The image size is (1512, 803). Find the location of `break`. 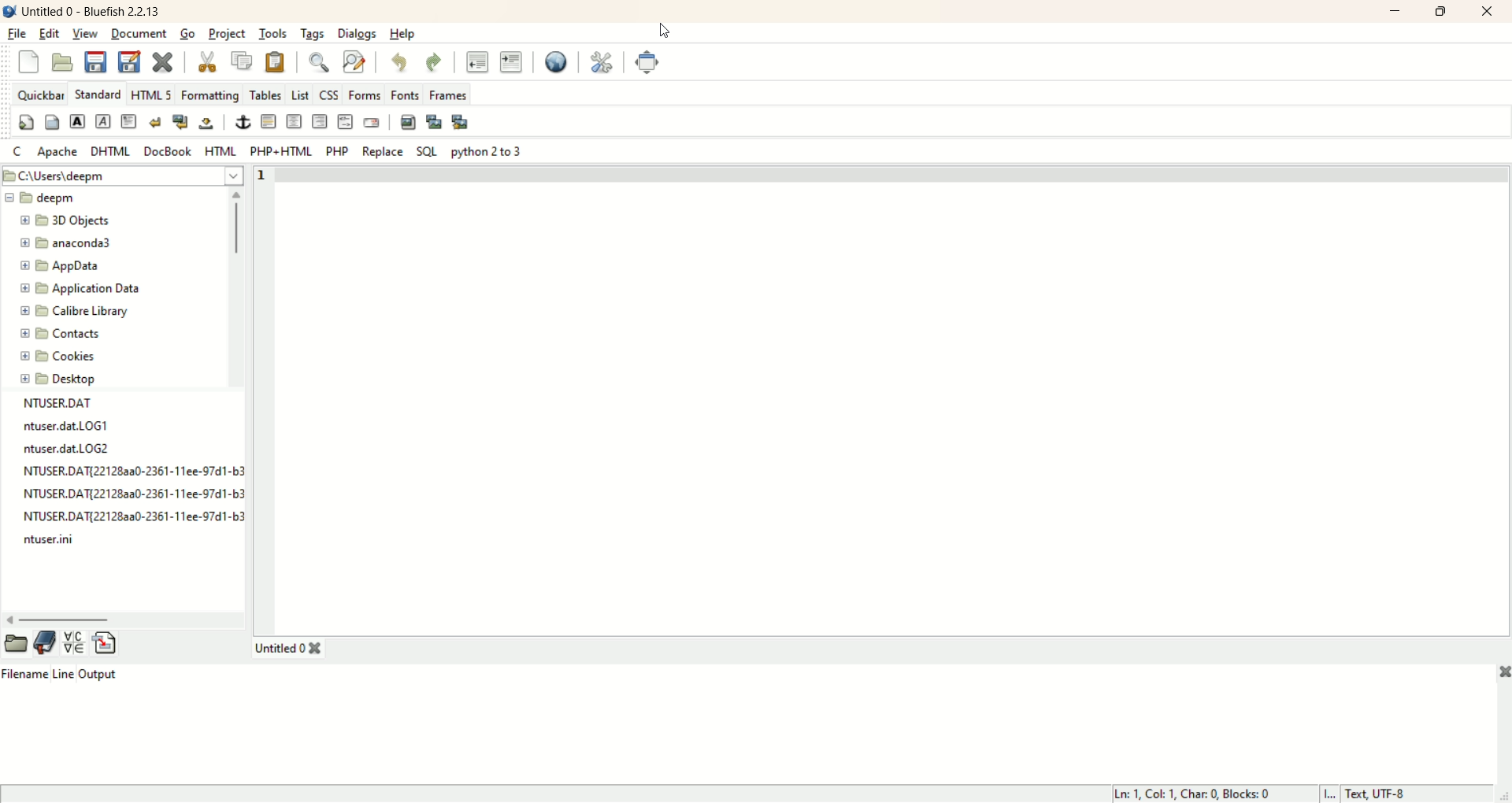

break is located at coordinates (153, 123).